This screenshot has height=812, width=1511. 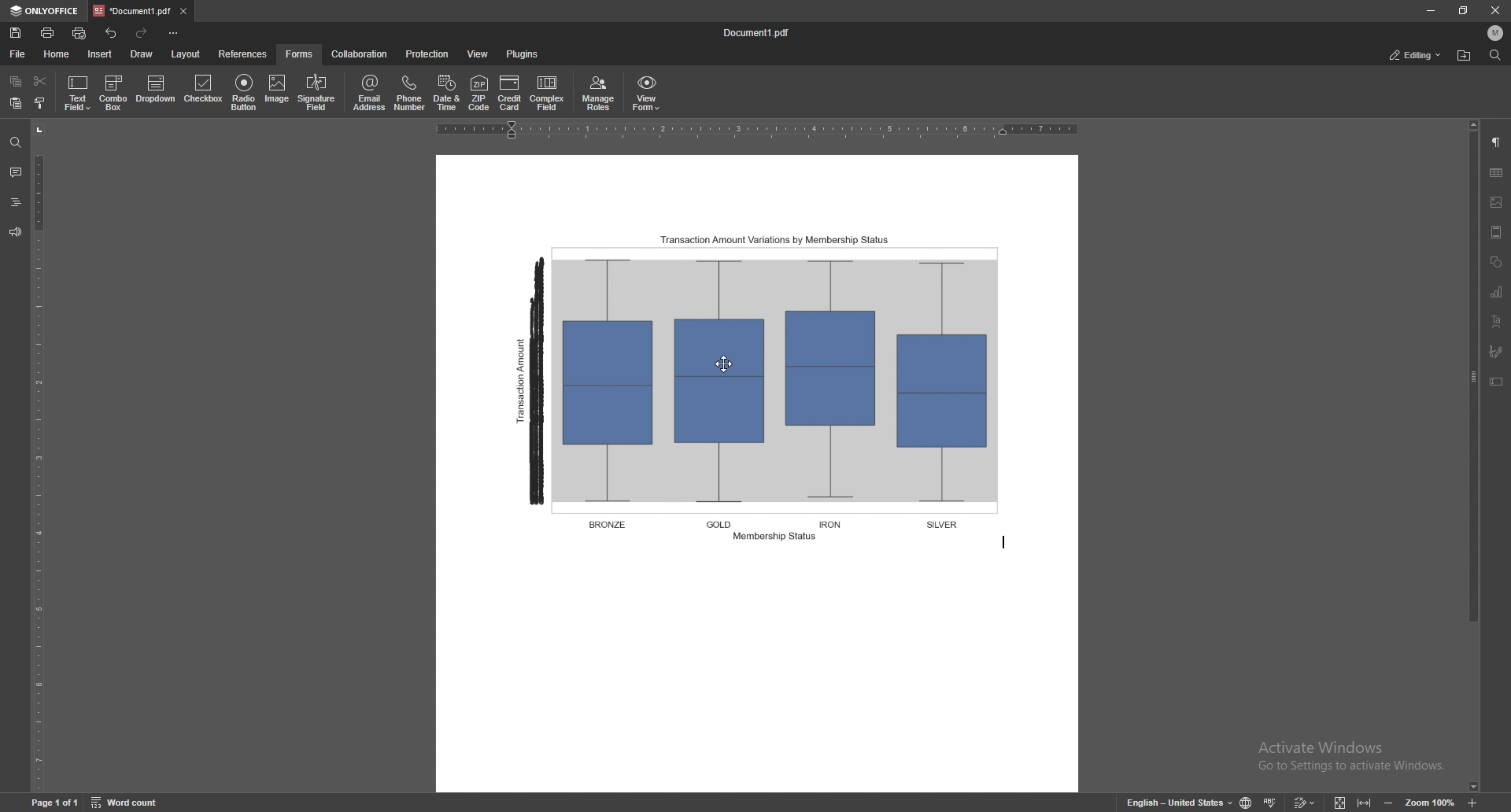 I want to click on fit to width, so click(x=1365, y=802).